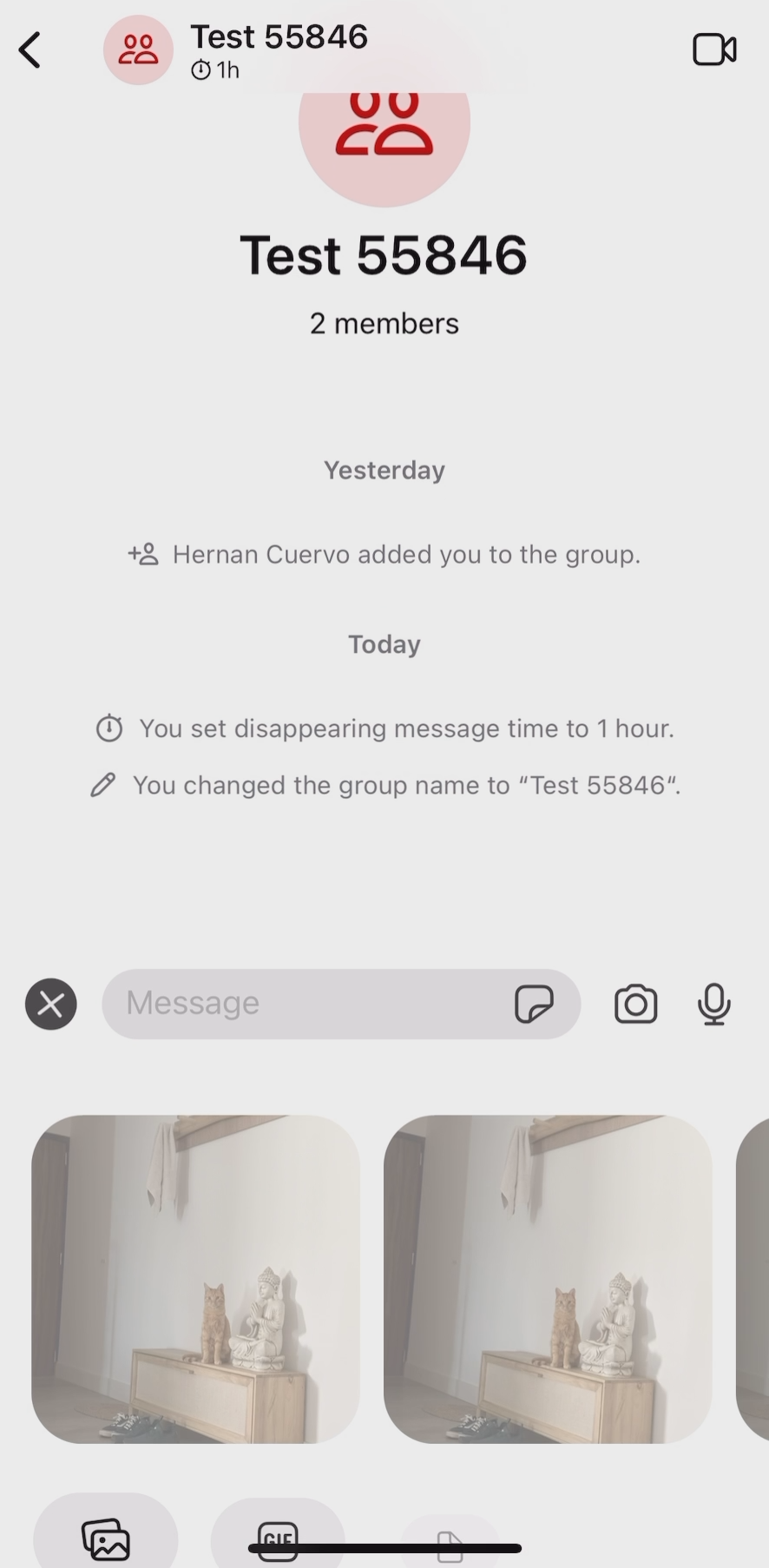 Image resolution: width=769 pixels, height=1568 pixels. What do you see at coordinates (50, 997) in the screenshot?
I see `cancel` at bounding box center [50, 997].